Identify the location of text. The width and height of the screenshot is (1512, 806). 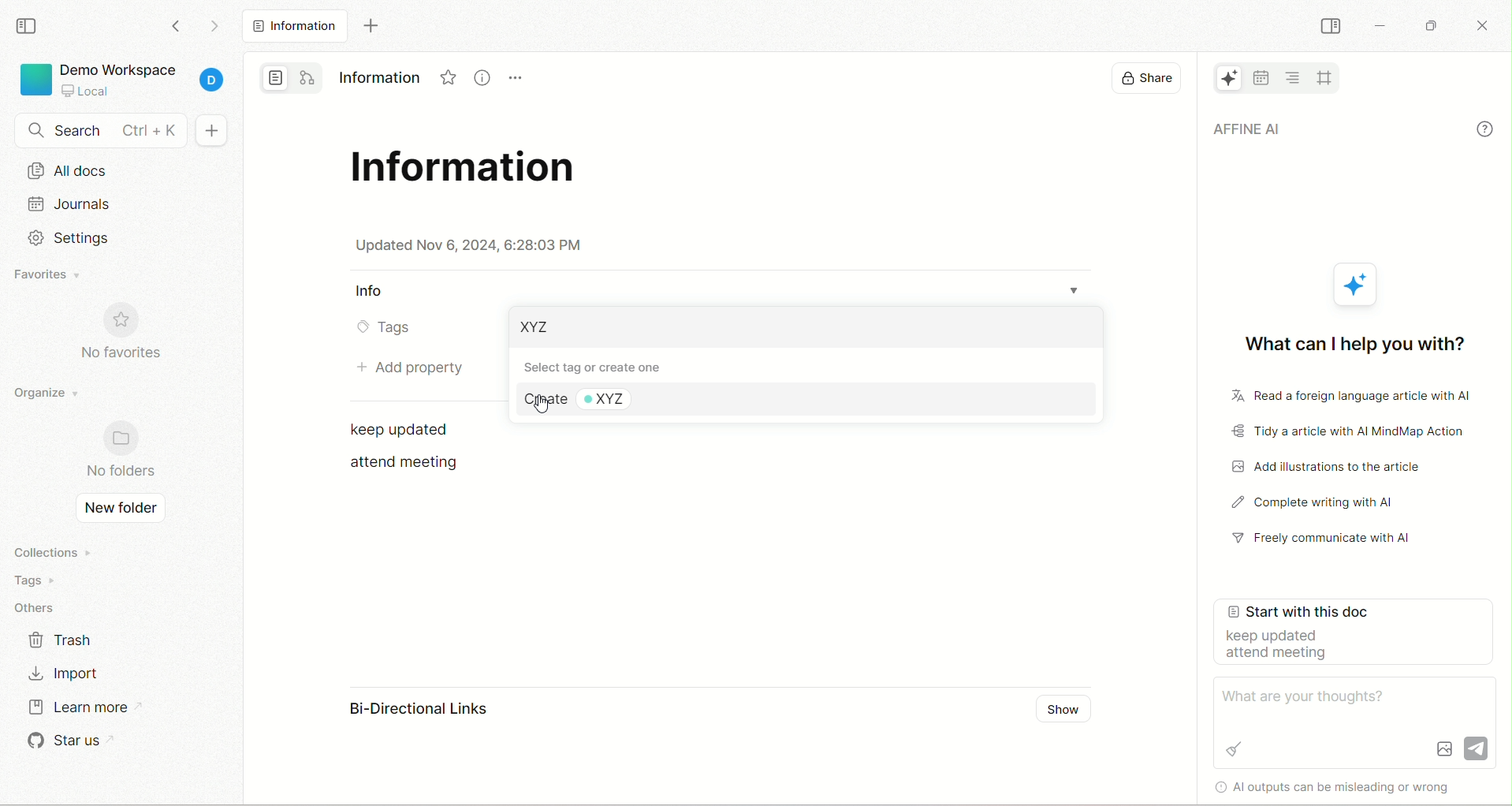
(406, 462).